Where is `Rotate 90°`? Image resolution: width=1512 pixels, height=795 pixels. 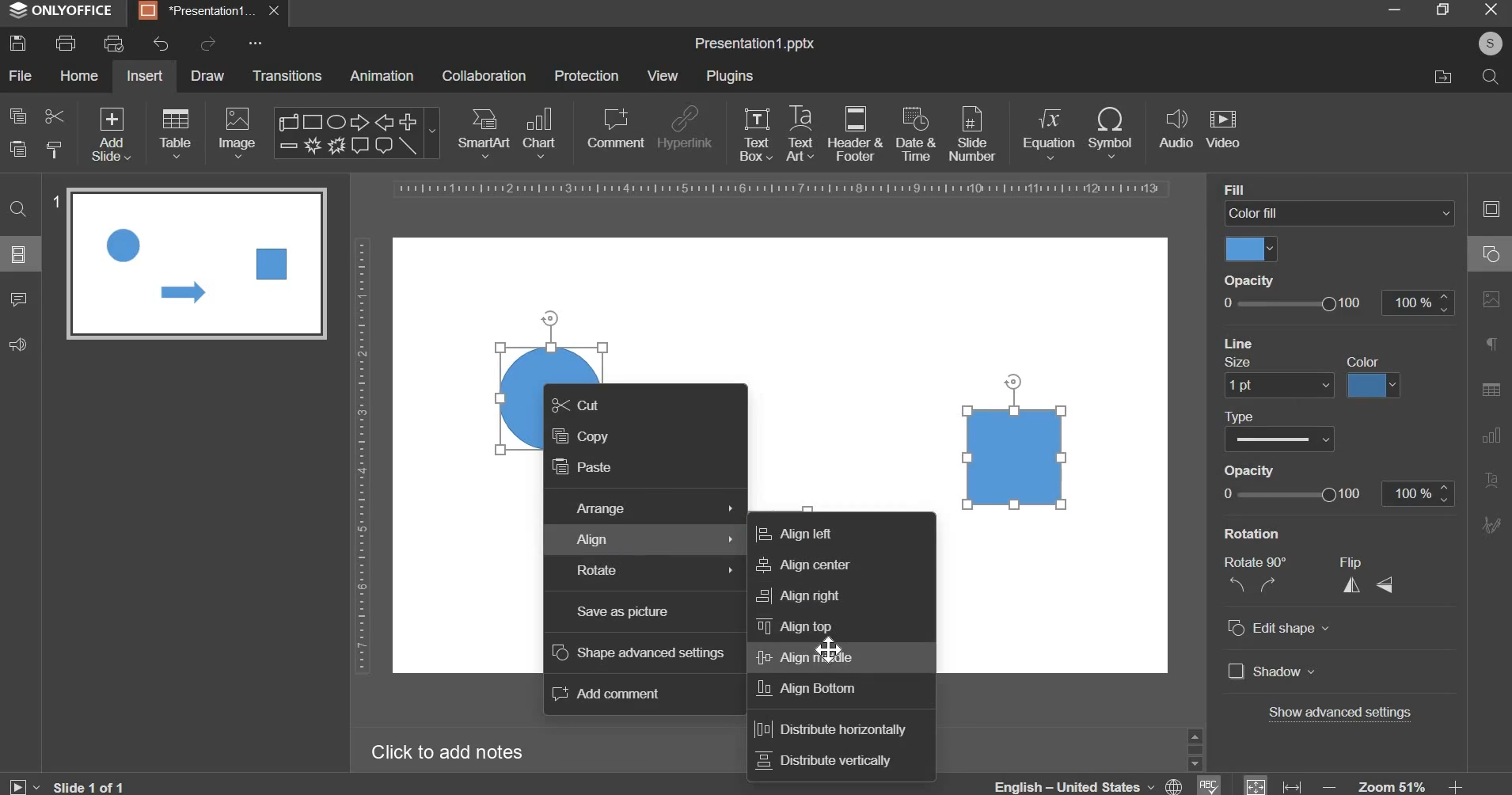 Rotate 90° is located at coordinates (1260, 562).